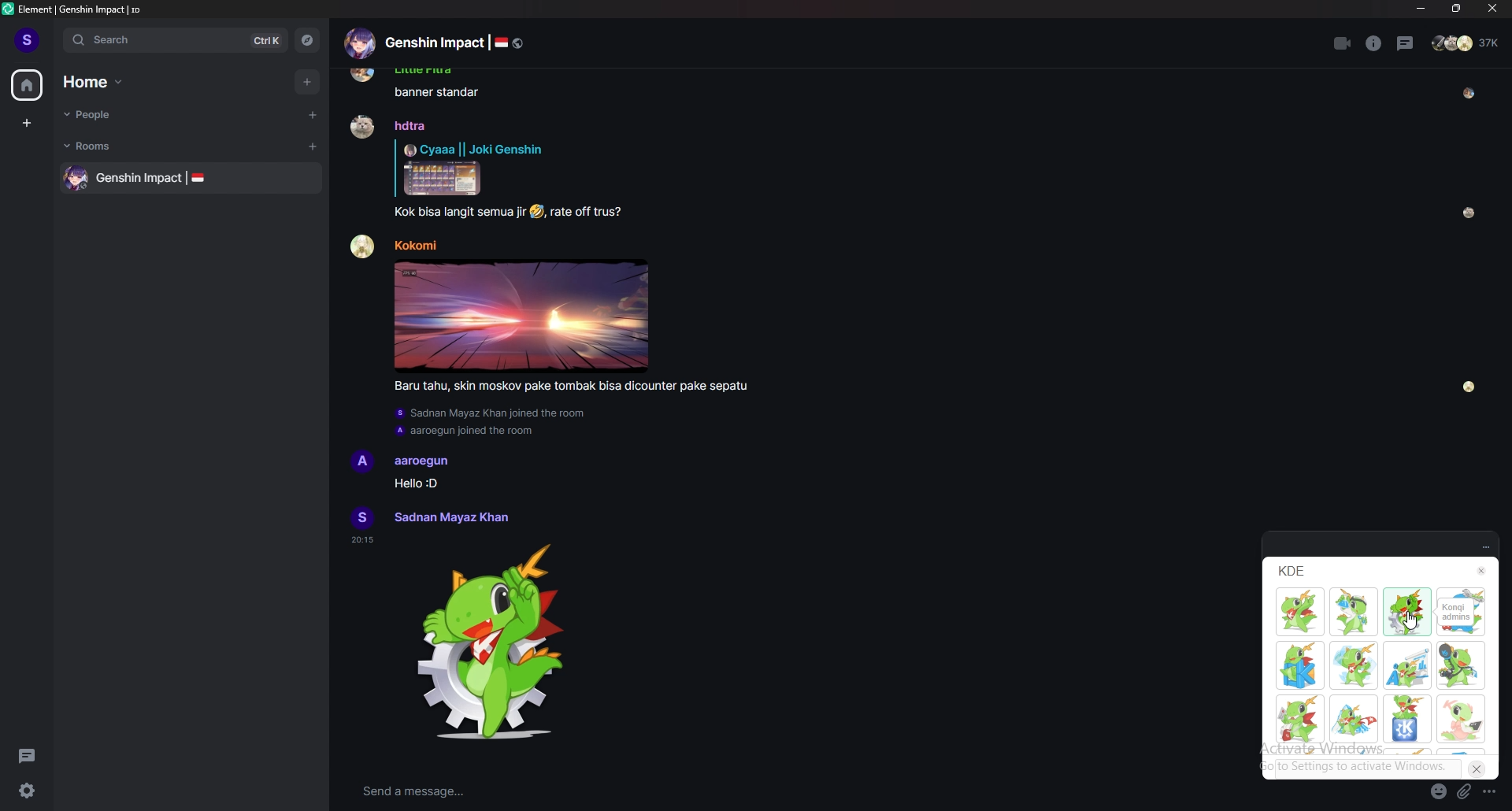  What do you see at coordinates (395, 168) in the screenshot?
I see `Indicates replying in thread` at bounding box center [395, 168].